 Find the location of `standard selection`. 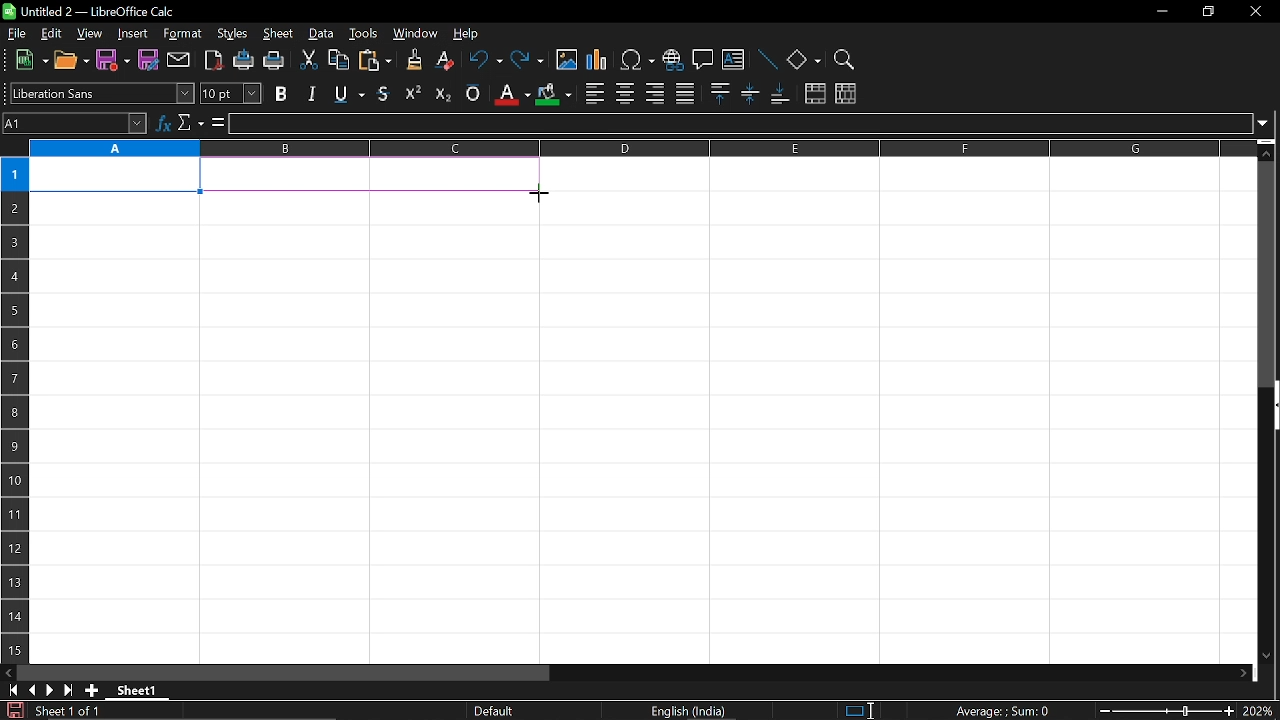

standard selection is located at coordinates (860, 711).